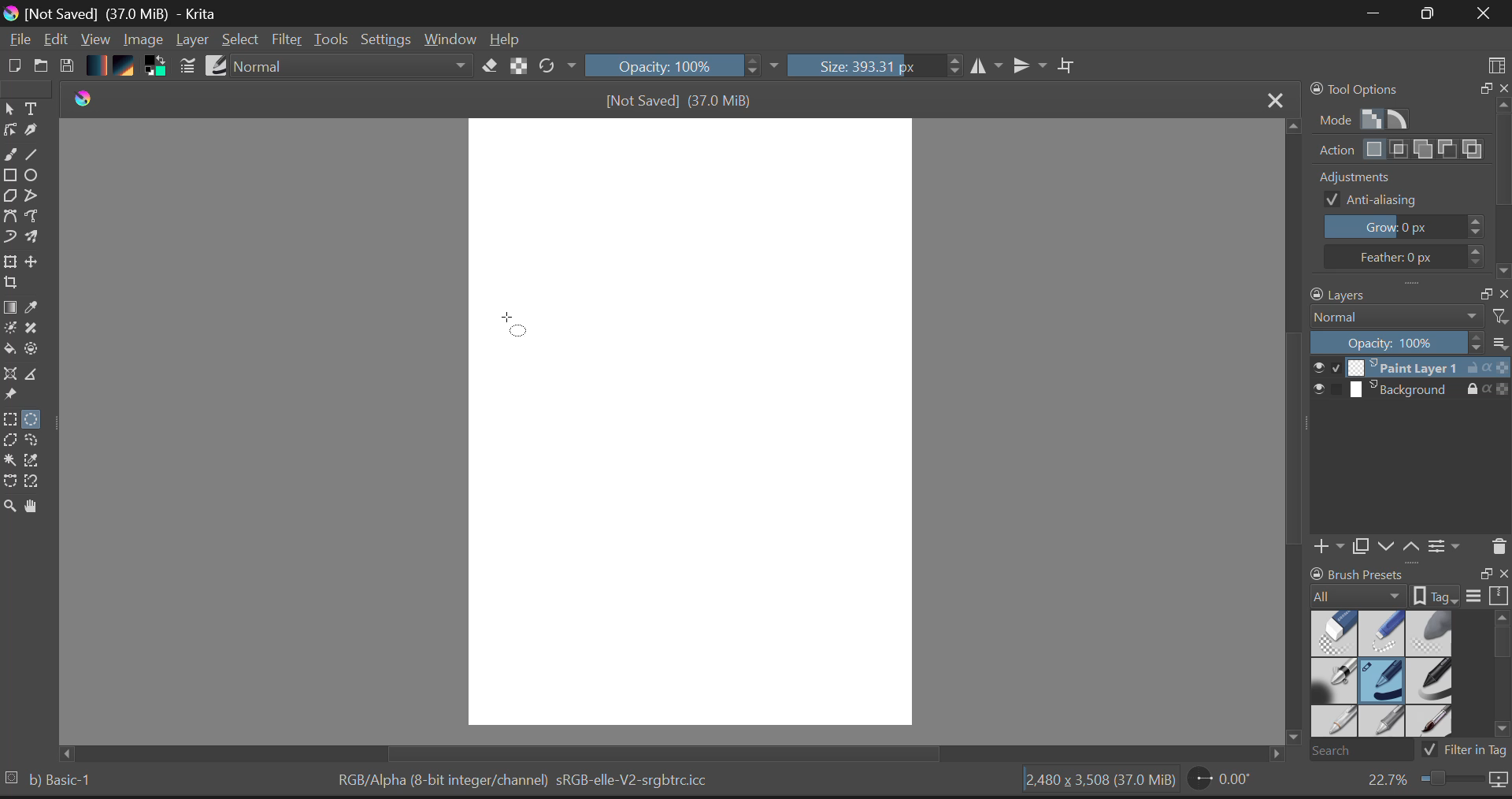 This screenshot has height=799, width=1512. Describe the element at coordinates (34, 177) in the screenshot. I see `Elipses` at that location.